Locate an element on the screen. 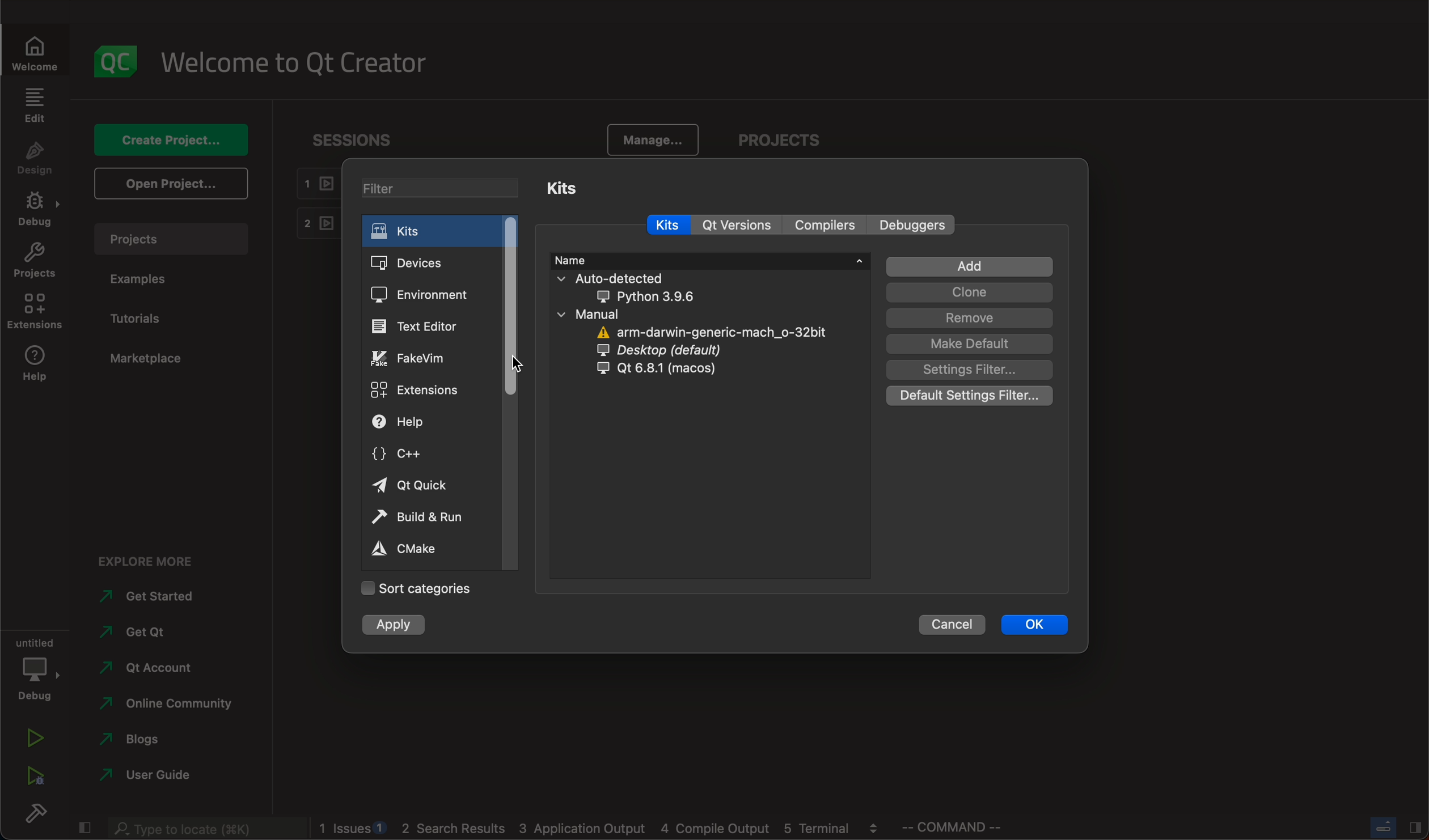  debug is located at coordinates (36, 210).